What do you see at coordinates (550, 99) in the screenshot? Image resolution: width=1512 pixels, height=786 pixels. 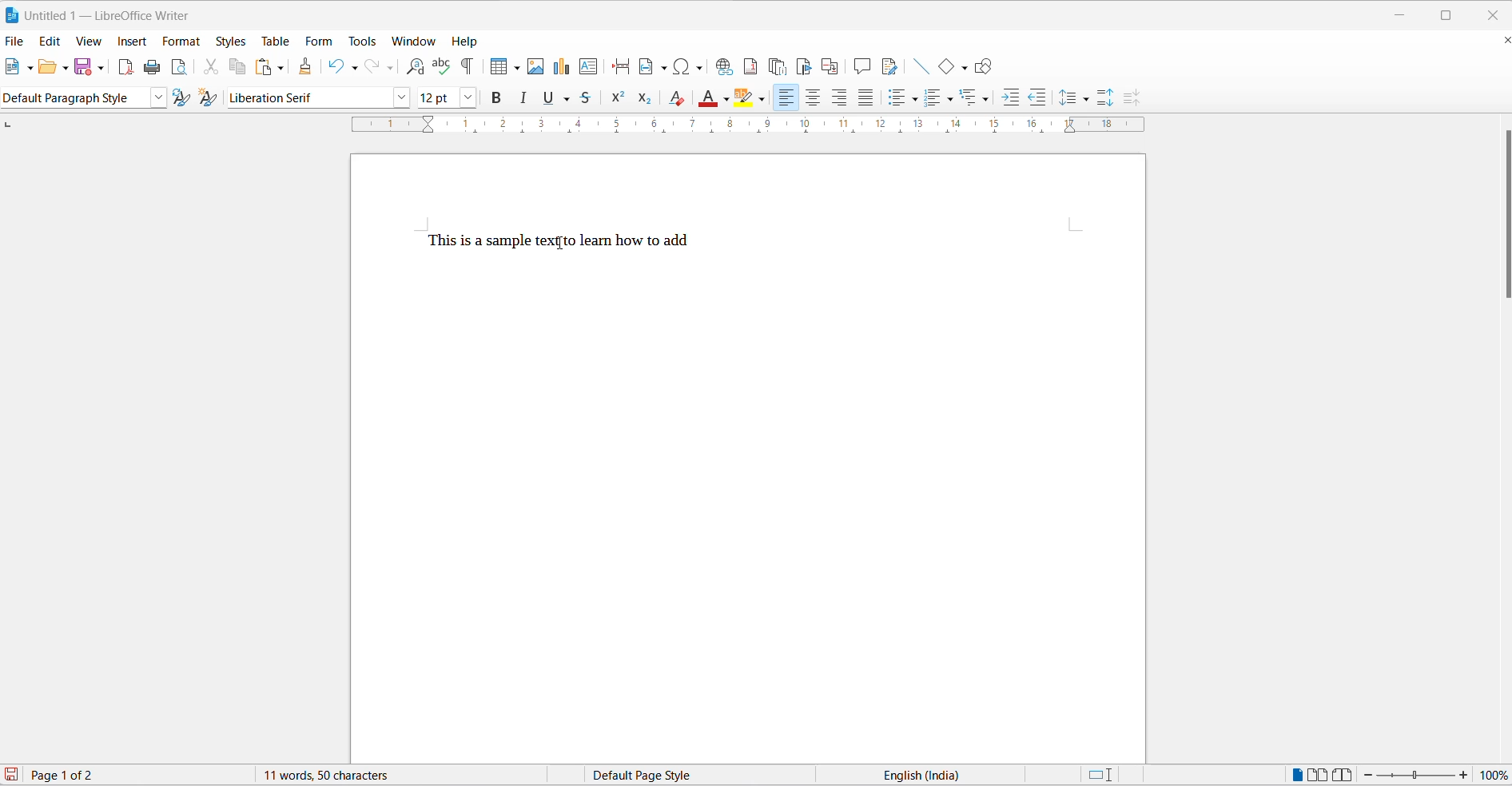 I see `underline` at bounding box center [550, 99].